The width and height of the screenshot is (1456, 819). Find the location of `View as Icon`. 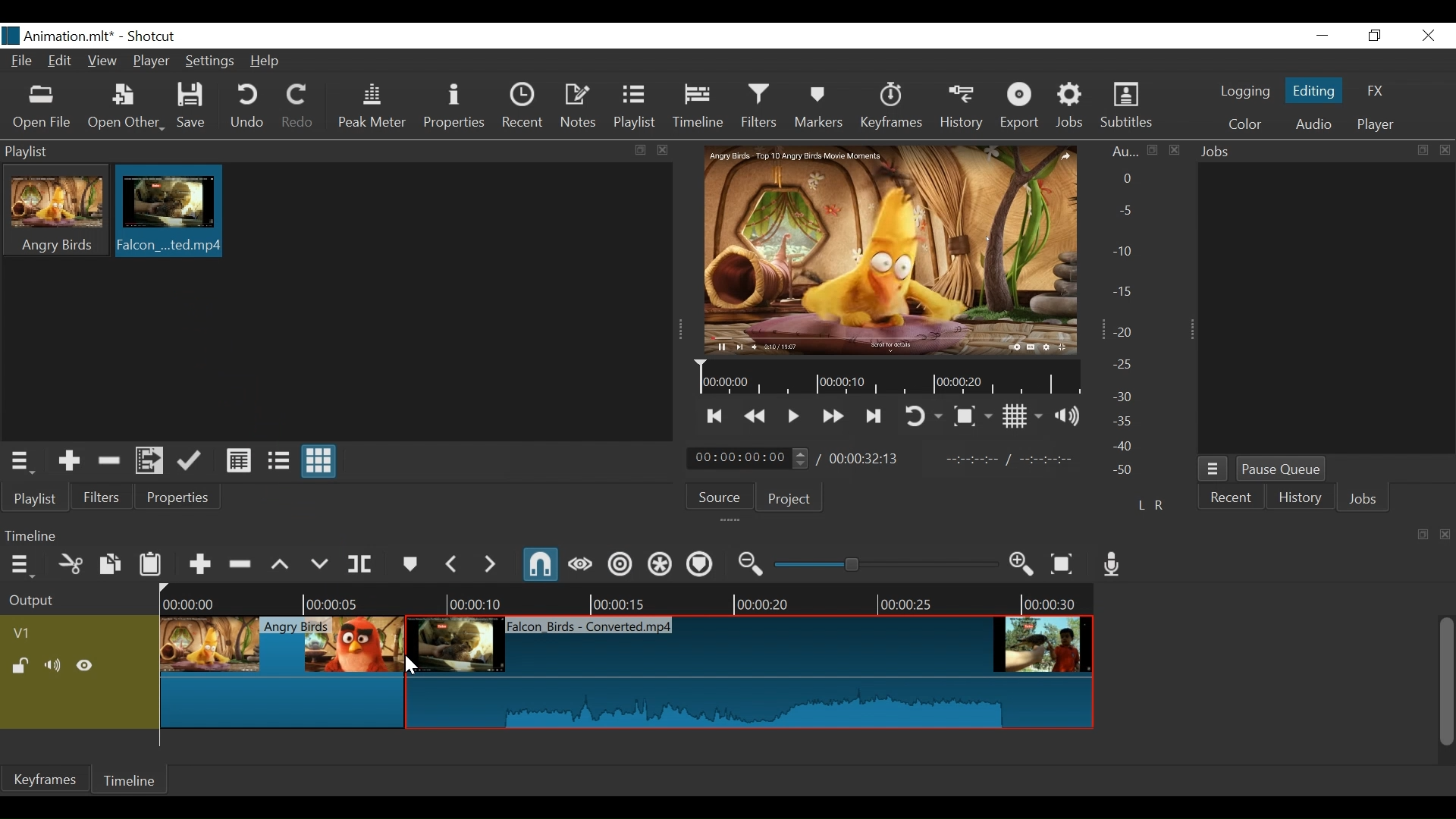

View as Icon is located at coordinates (320, 461).